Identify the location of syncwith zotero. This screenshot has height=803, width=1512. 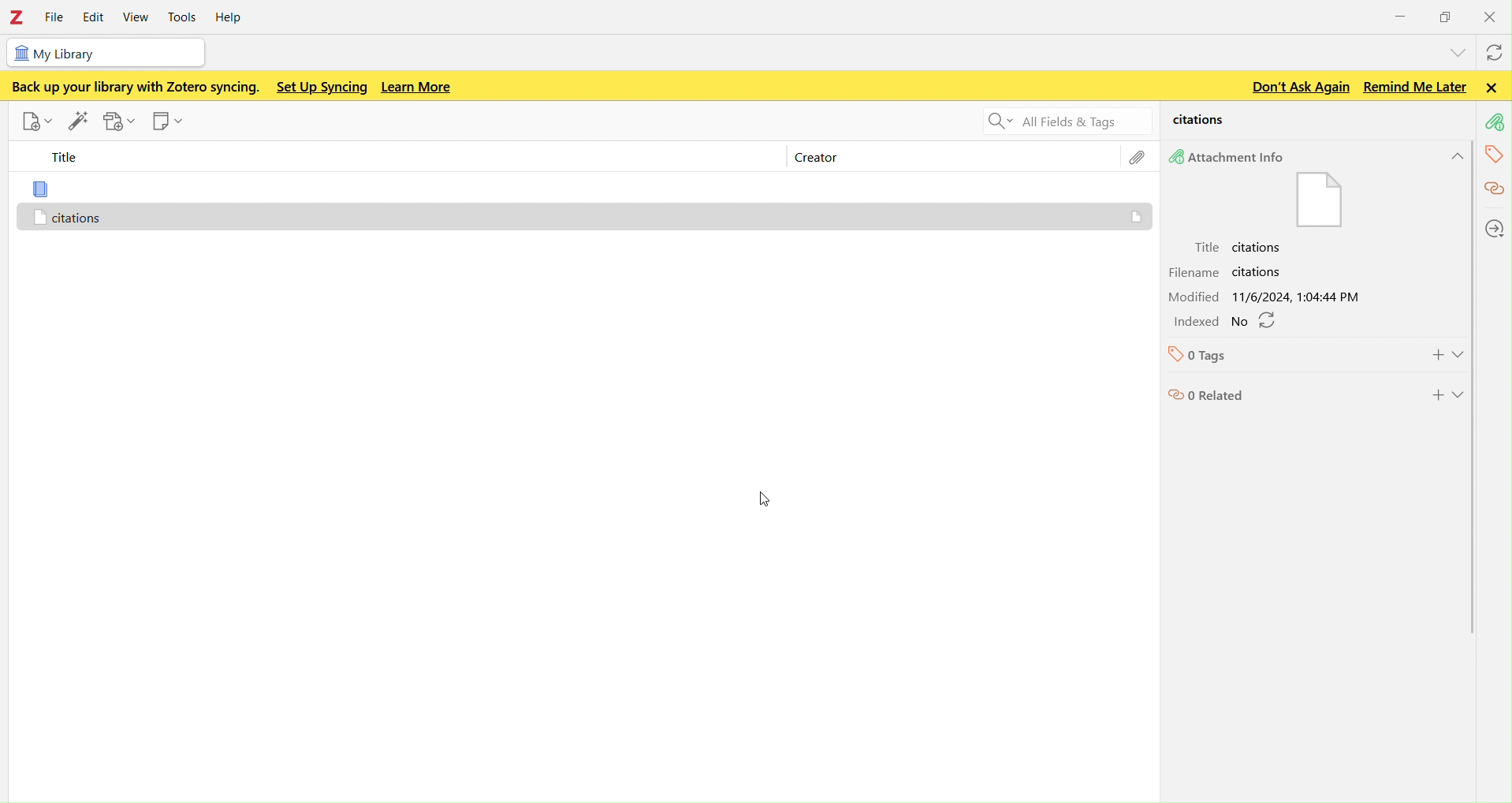
(1497, 51).